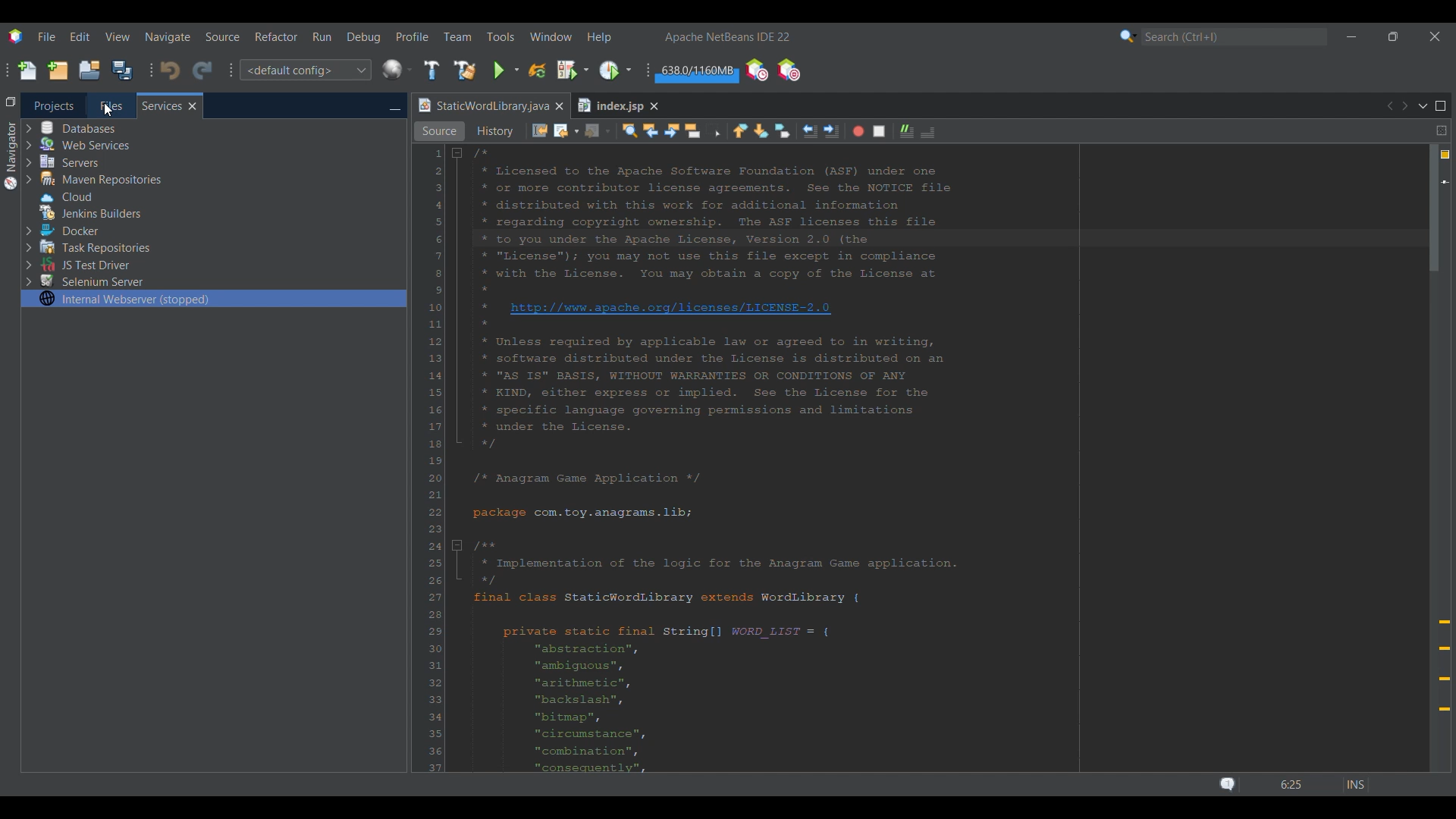  I want to click on Pause I/O checks, so click(788, 70).